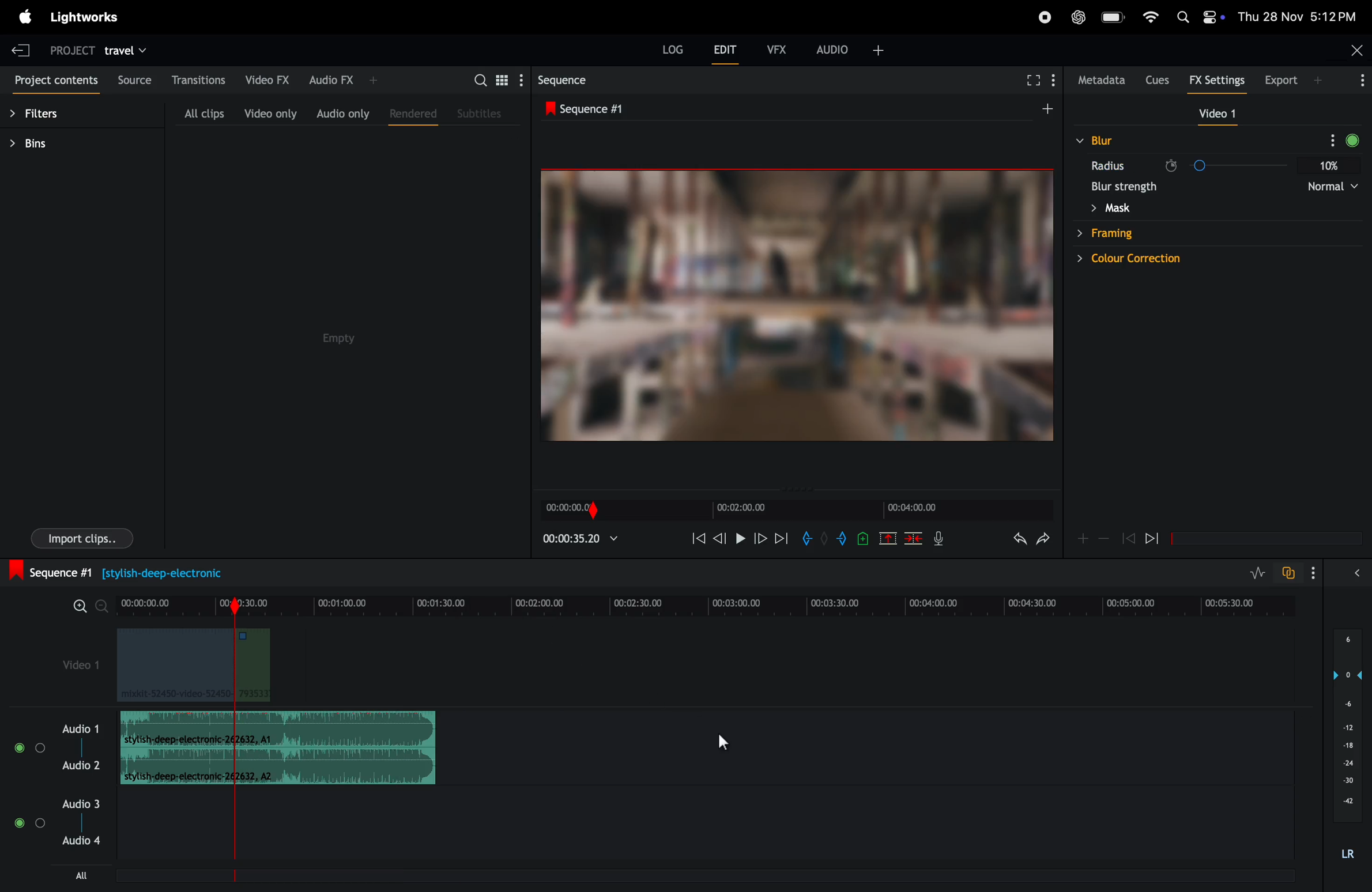 The width and height of the screenshot is (1372, 892). What do you see at coordinates (57, 146) in the screenshot?
I see `bins` at bounding box center [57, 146].